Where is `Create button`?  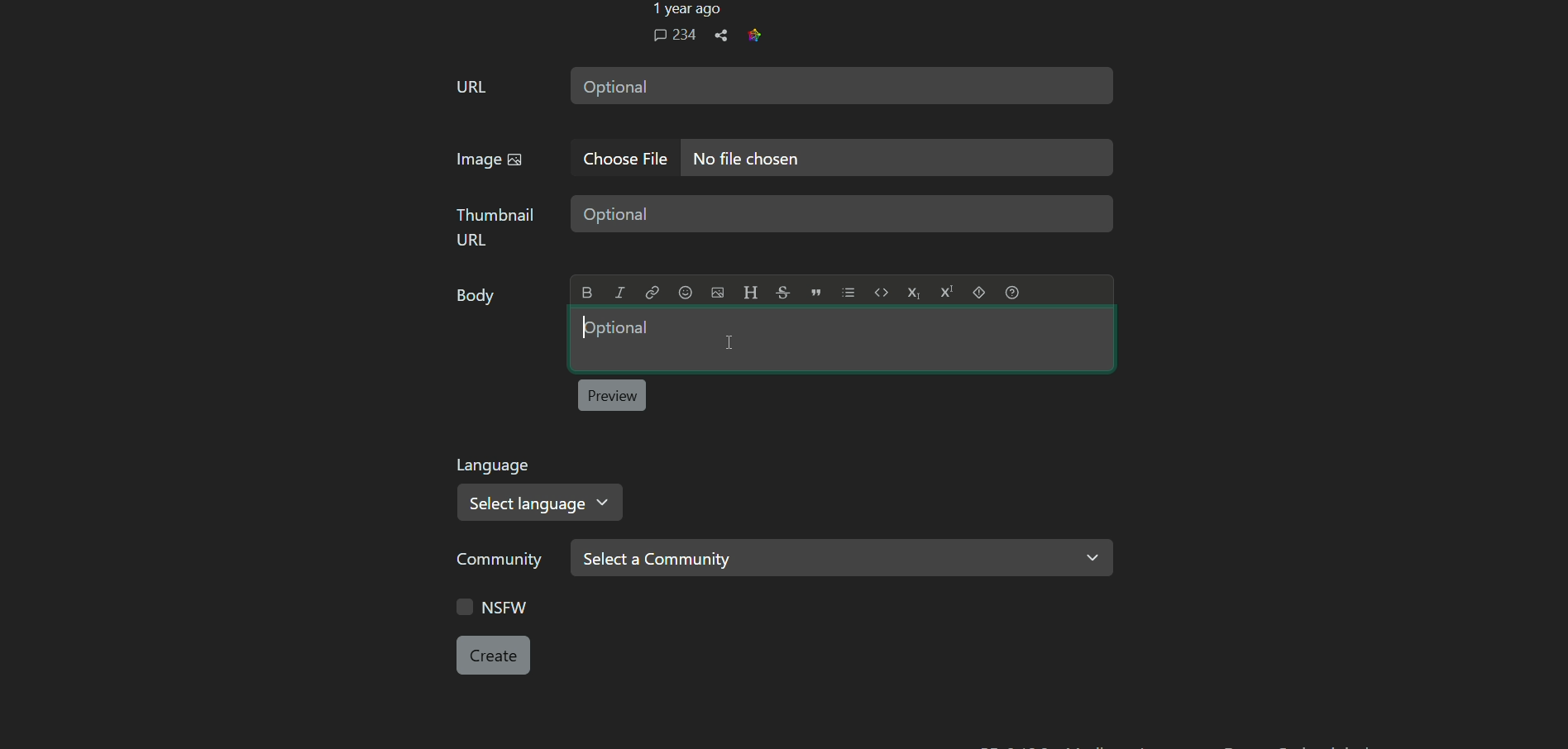 Create button is located at coordinates (493, 655).